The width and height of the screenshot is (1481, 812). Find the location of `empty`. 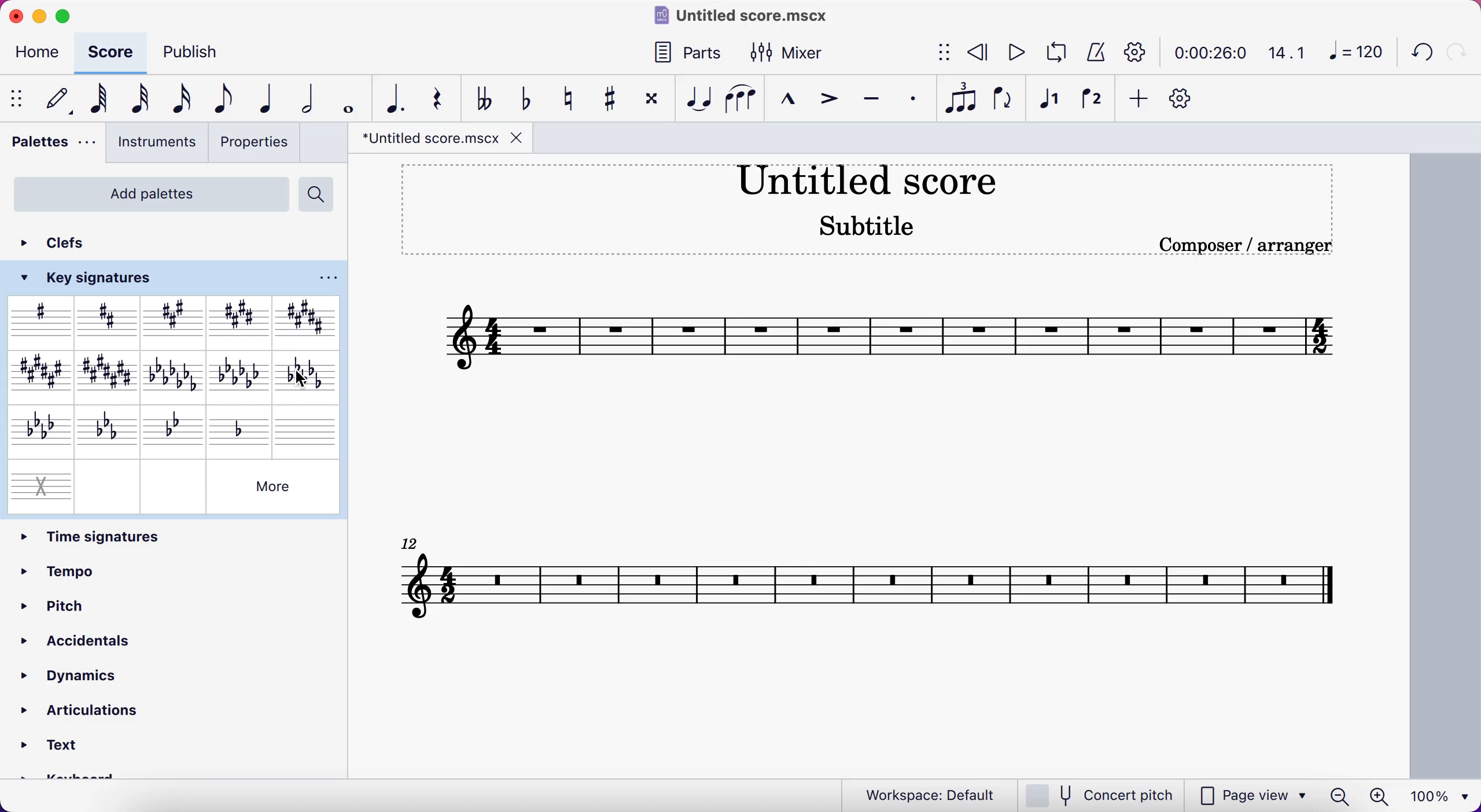

empty is located at coordinates (172, 485).